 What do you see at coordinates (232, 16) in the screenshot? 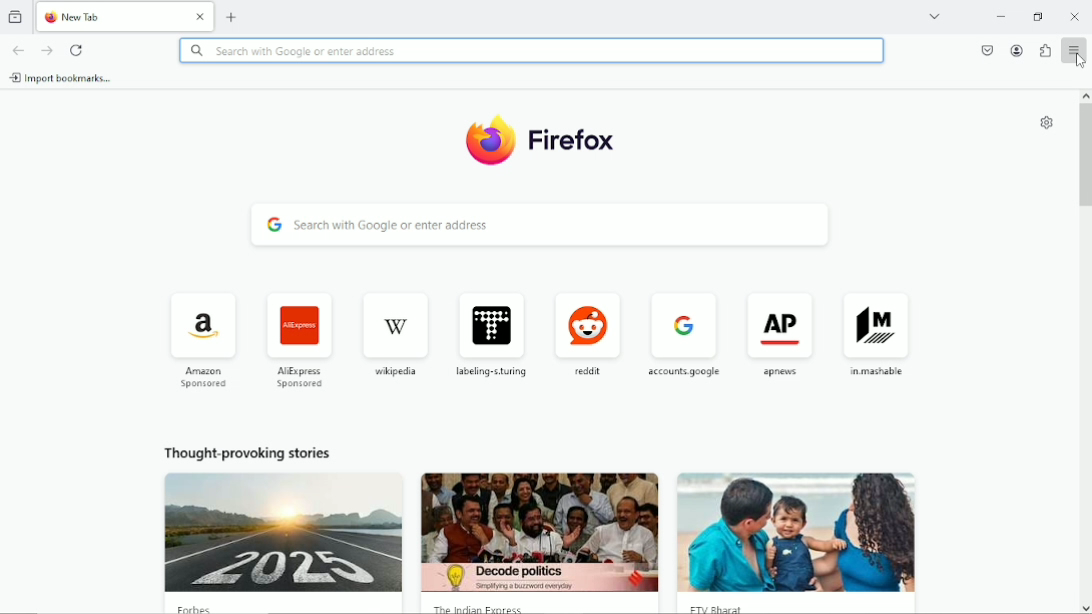
I see `new tab` at bounding box center [232, 16].